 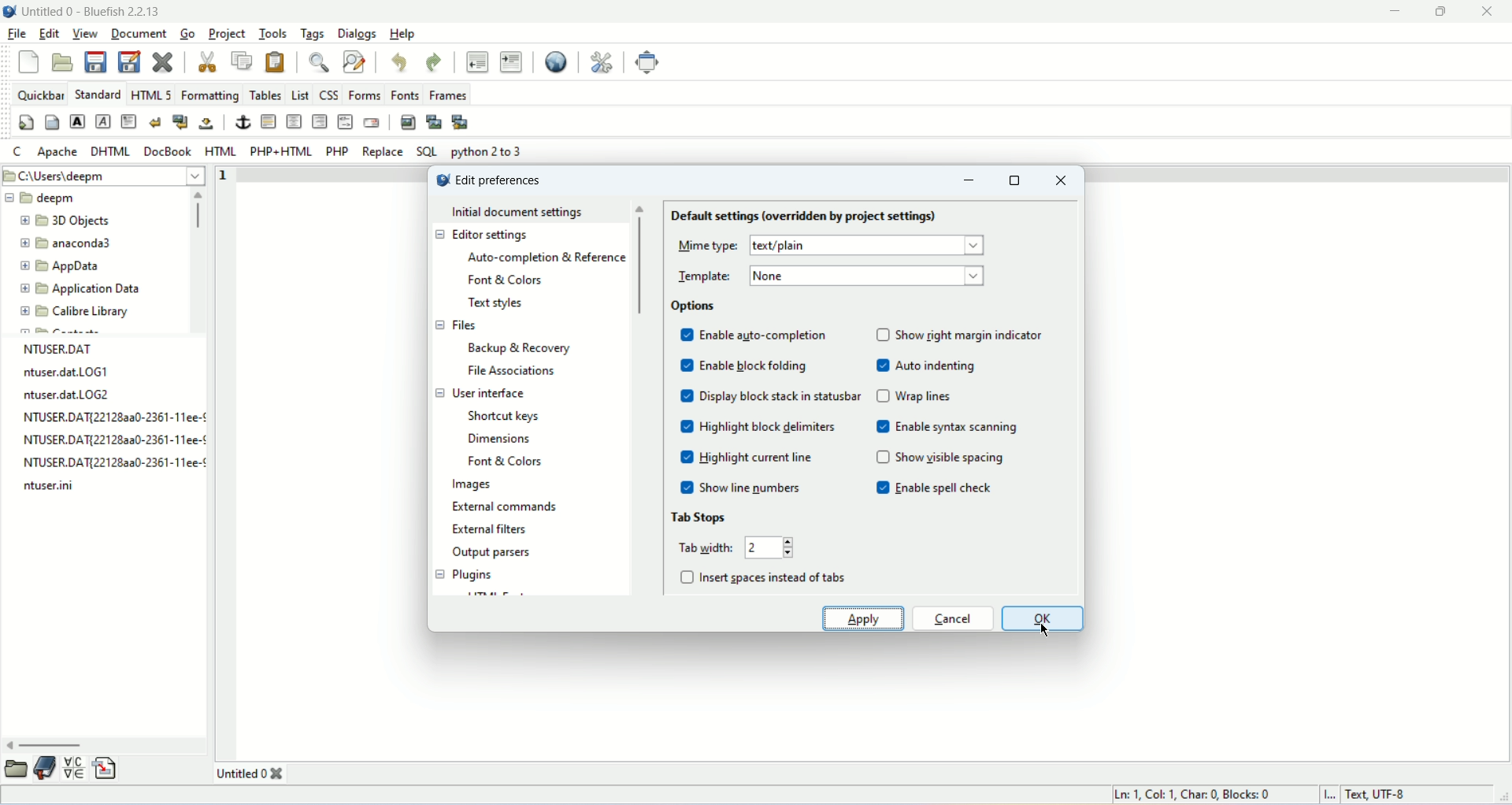 What do you see at coordinates (95, 61) in the screenshot?
I see `save` at bounding box center [95, 61].